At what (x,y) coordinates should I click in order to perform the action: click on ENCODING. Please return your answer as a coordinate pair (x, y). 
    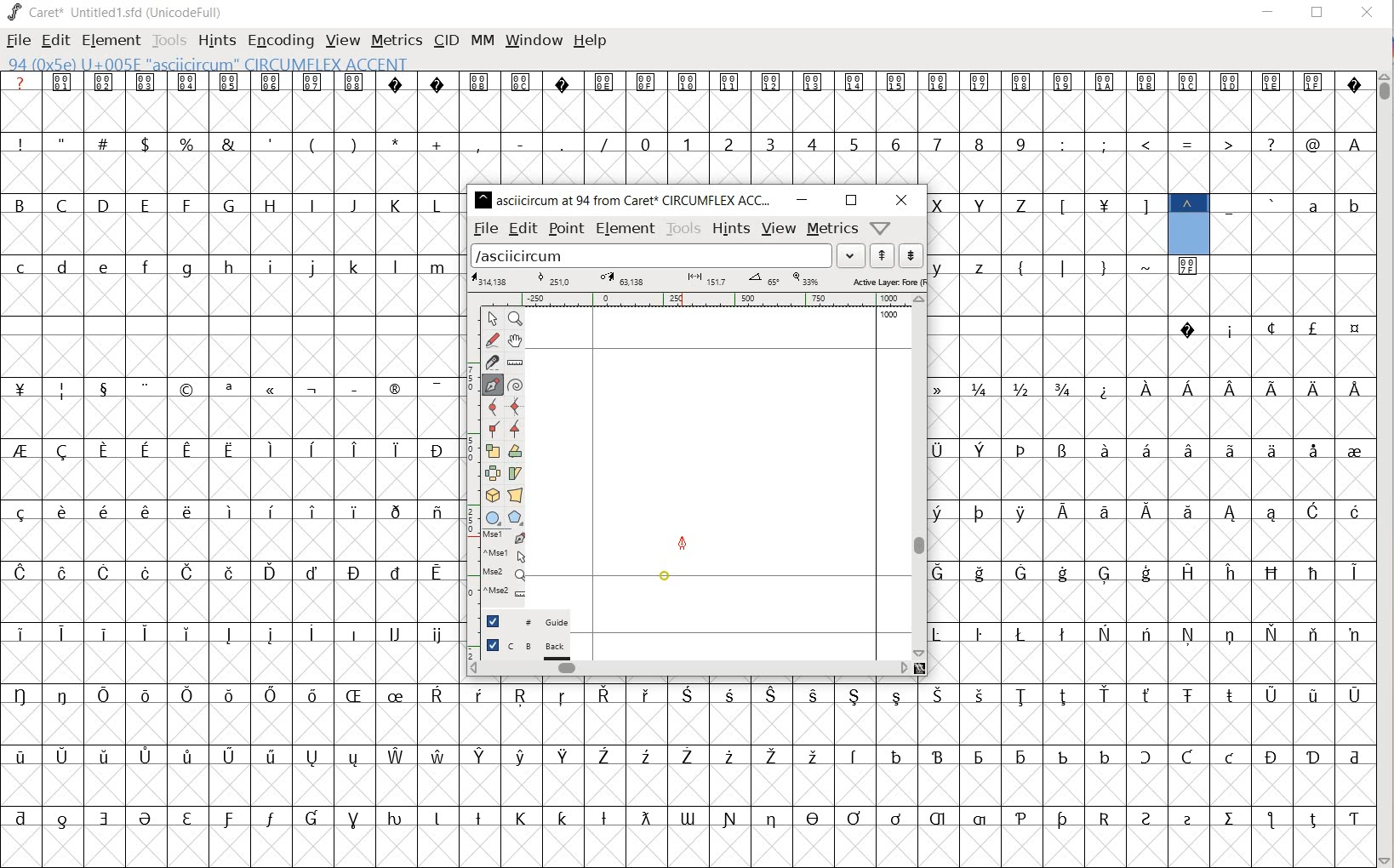
    Looking at the image, I should click on (281, 39).